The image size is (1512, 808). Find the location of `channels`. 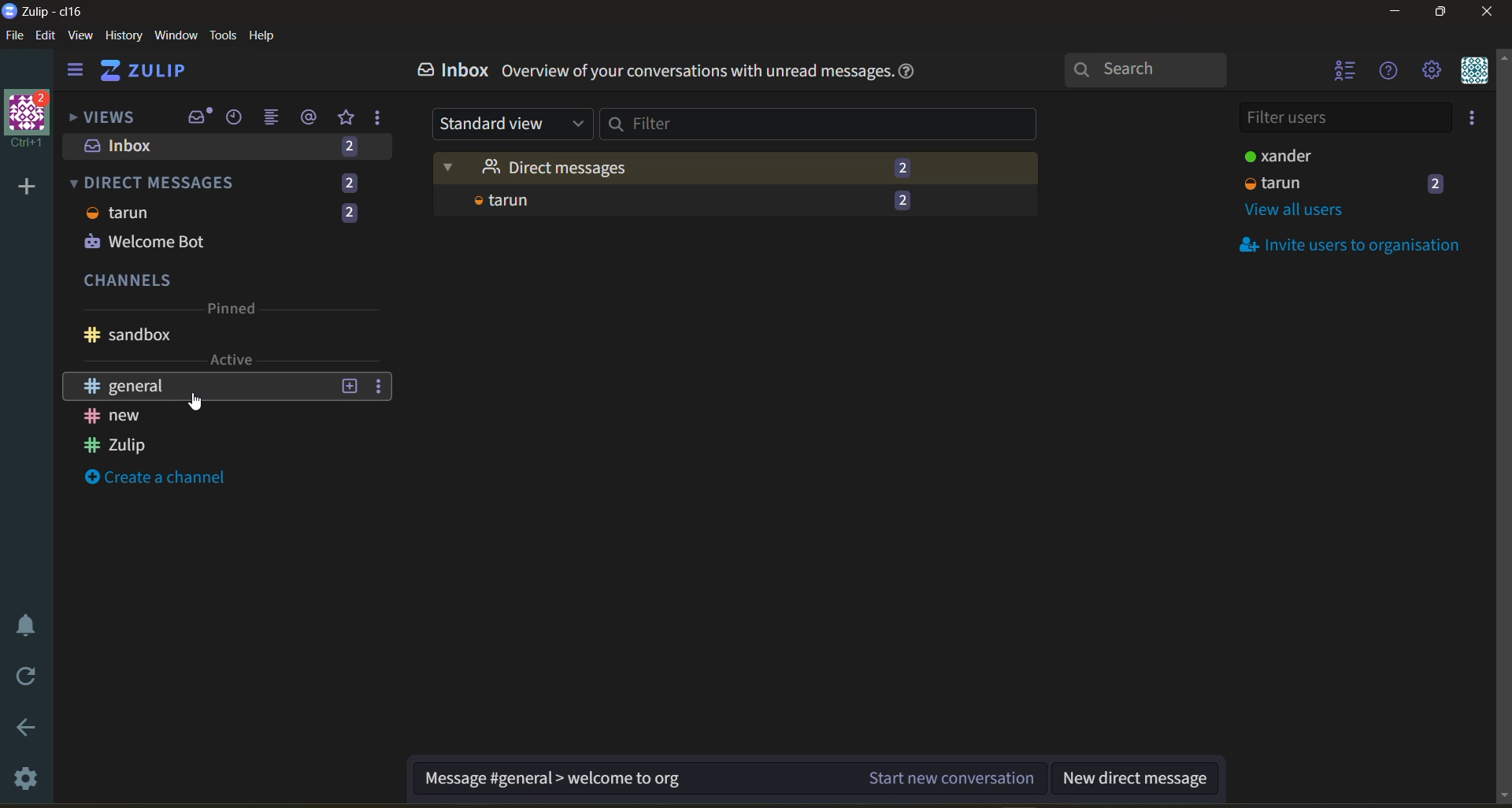

channels is located at coordinates (230, 317).